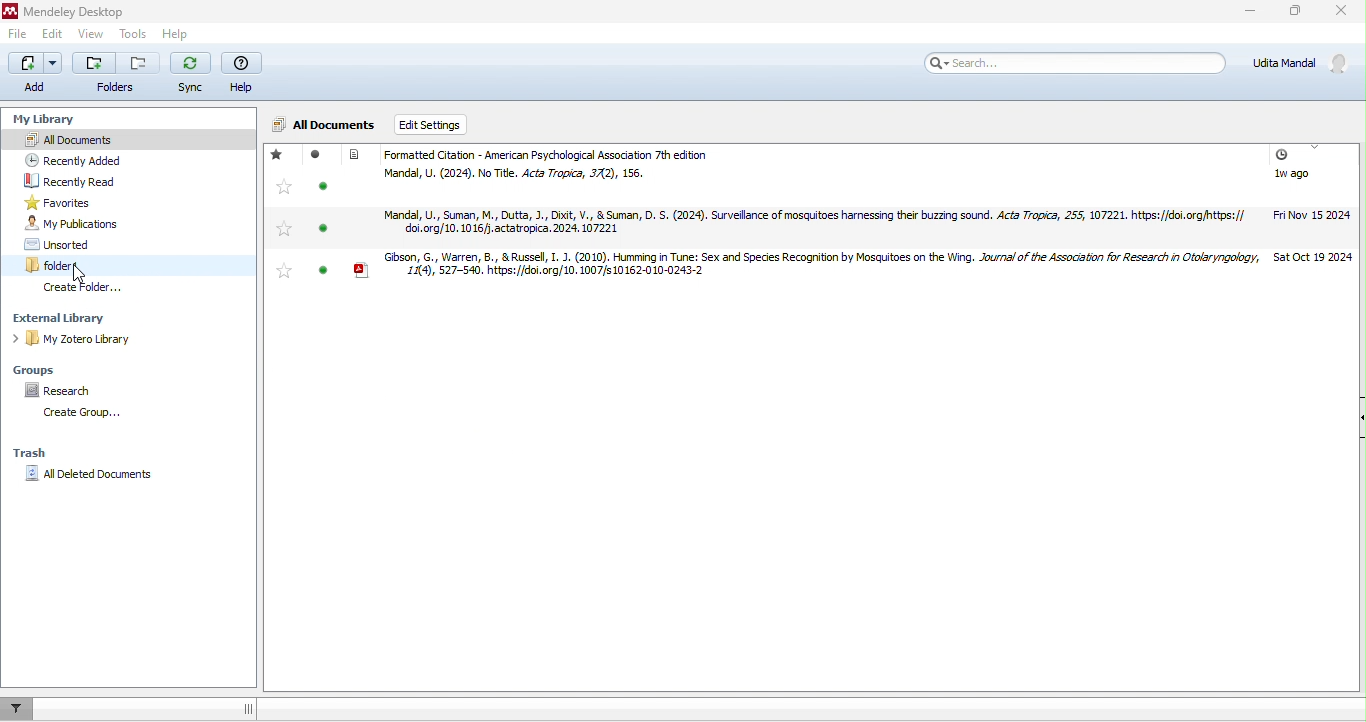 The width and height of the screenshot is (1366, 722). Describe the element at coordinates (278, 153) in the screenshot. I see `favorite` at that location.